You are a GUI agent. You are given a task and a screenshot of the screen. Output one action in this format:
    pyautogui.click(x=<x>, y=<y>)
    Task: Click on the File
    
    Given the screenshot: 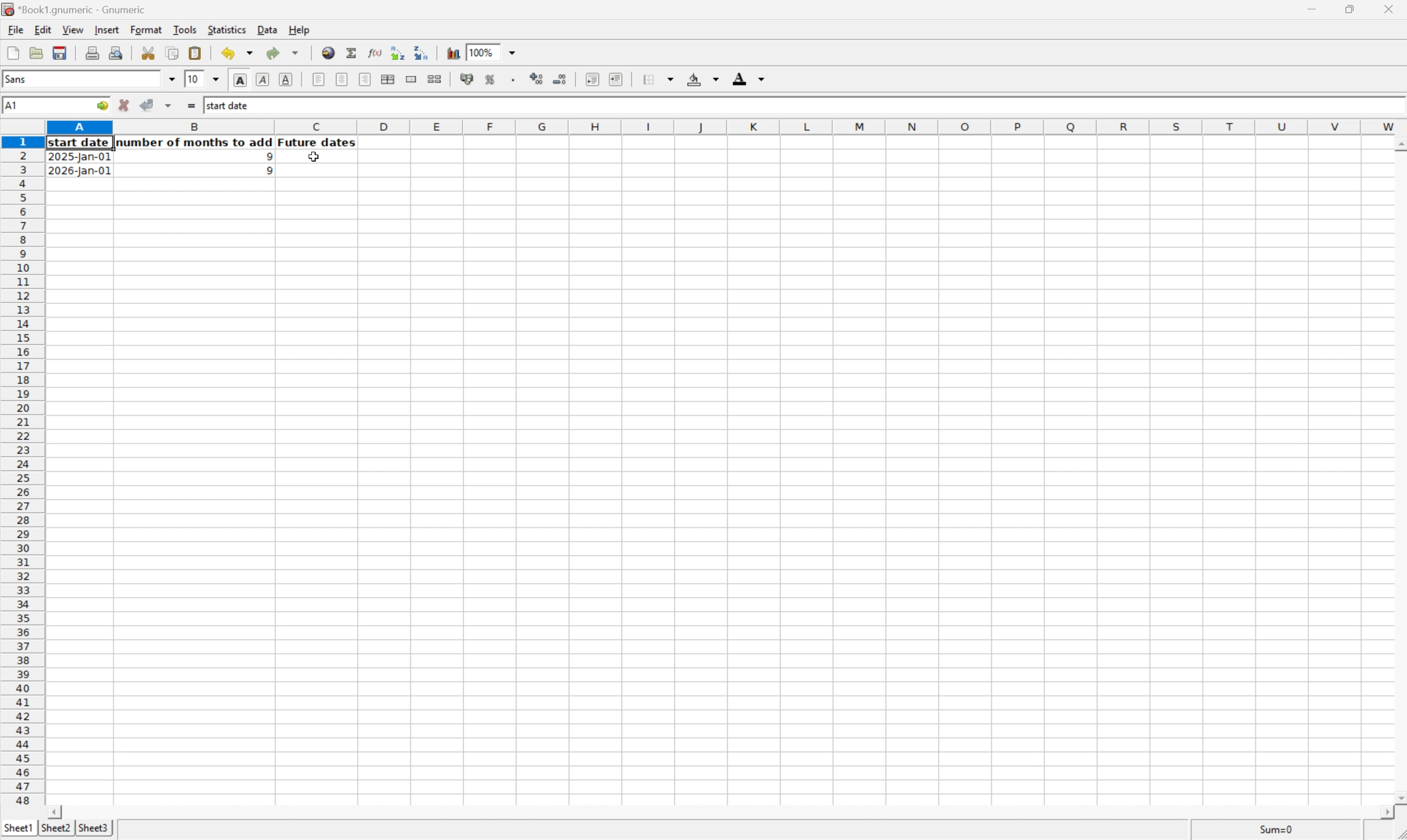 What is the action you would take?
    pyautogui.click(x=16, y=29)
    